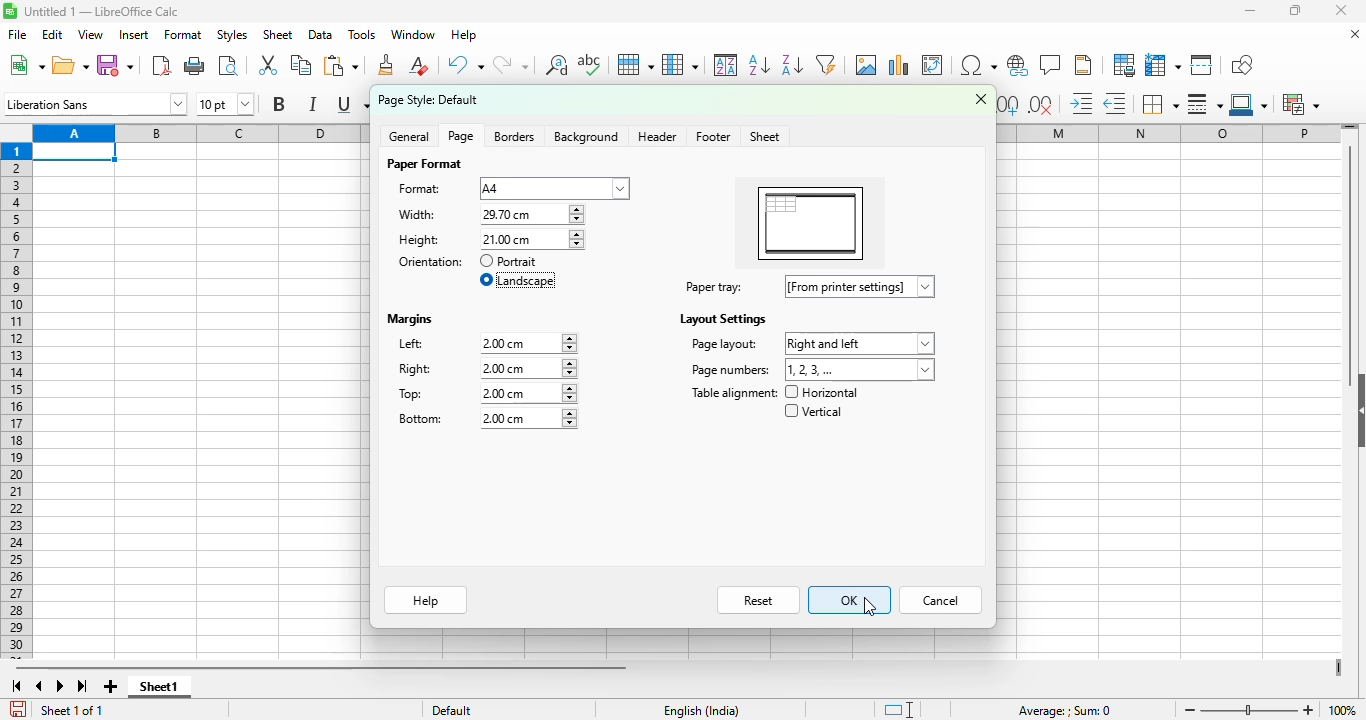  Describe the element at coordinates (509, 261) in the screenshot. I see `portrait` at that location.